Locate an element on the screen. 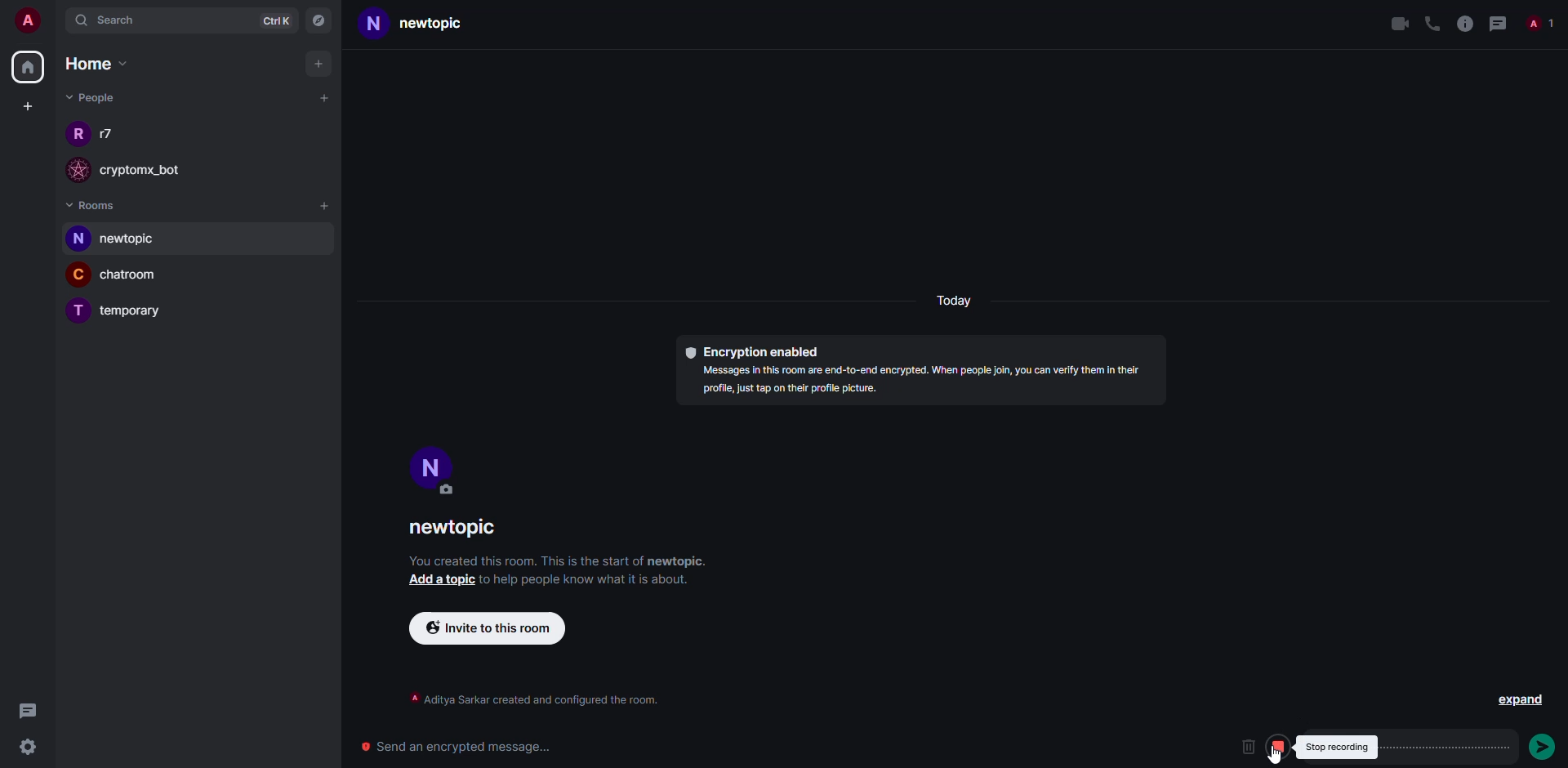 The image size is (1568, 768). add is located at coordinates (326, 208).